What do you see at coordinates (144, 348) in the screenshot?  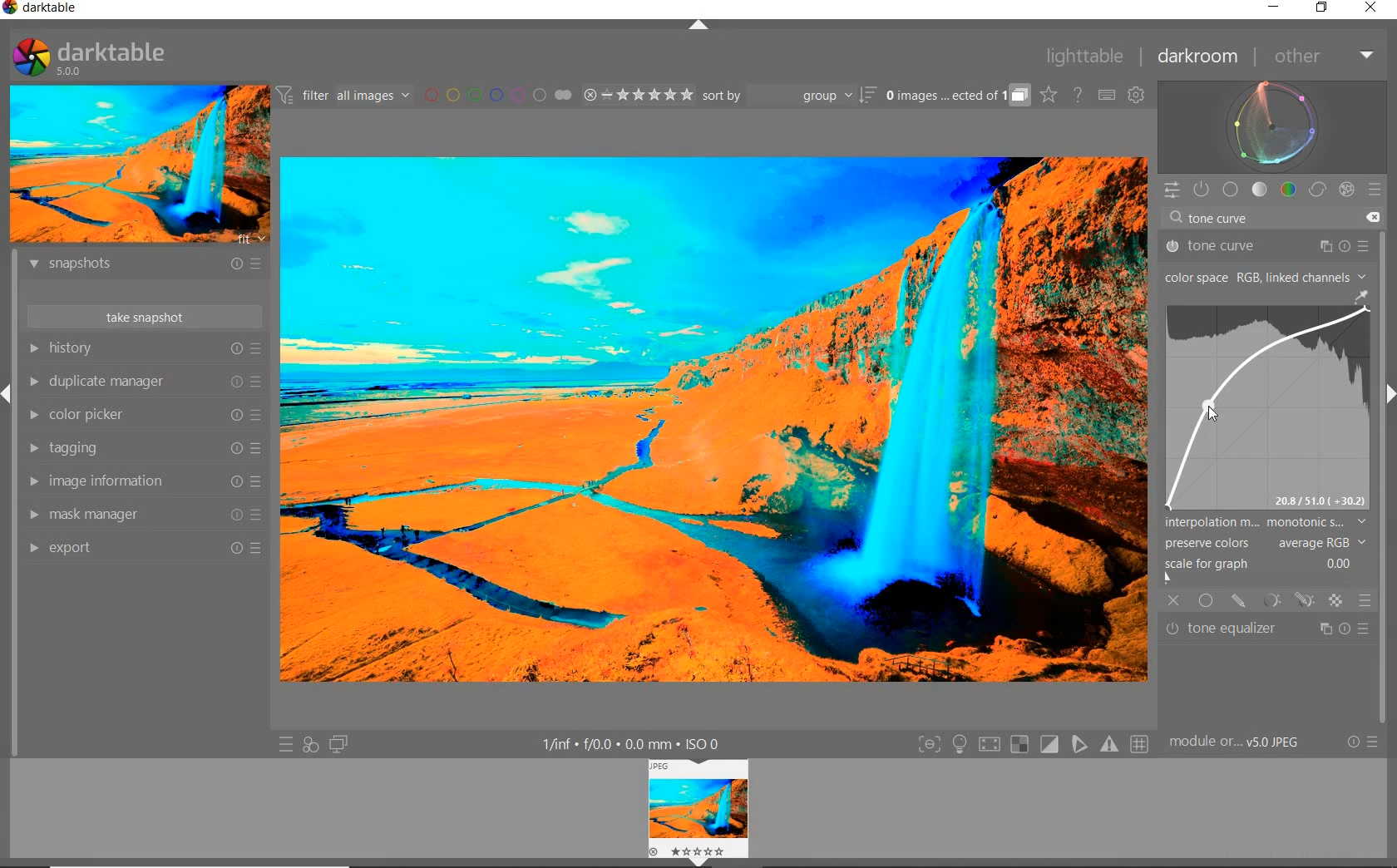 I see `history` at bounding box center [144, 348].